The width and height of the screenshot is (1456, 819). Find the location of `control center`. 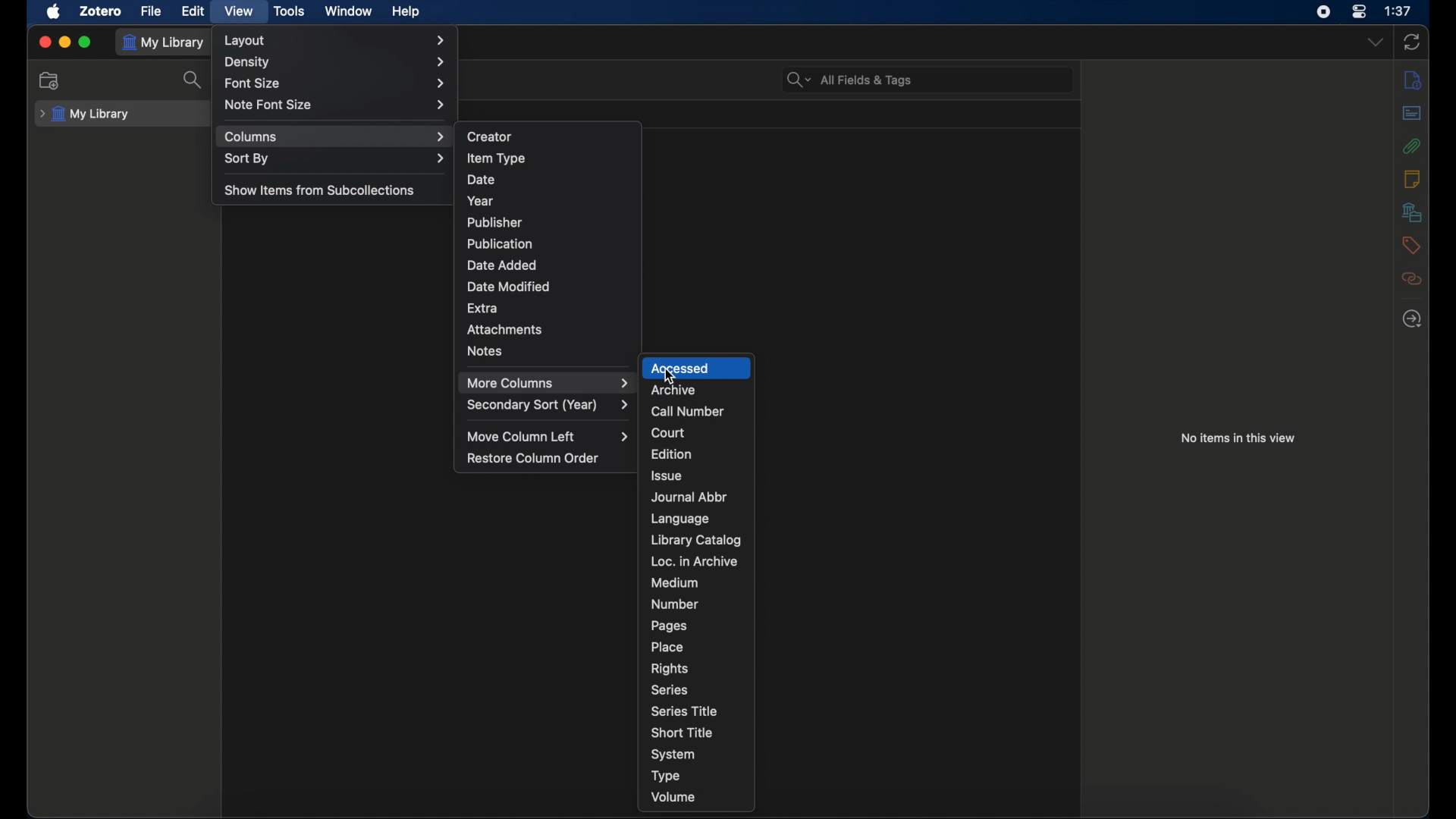

control center is located at coordinates (1359, 11).